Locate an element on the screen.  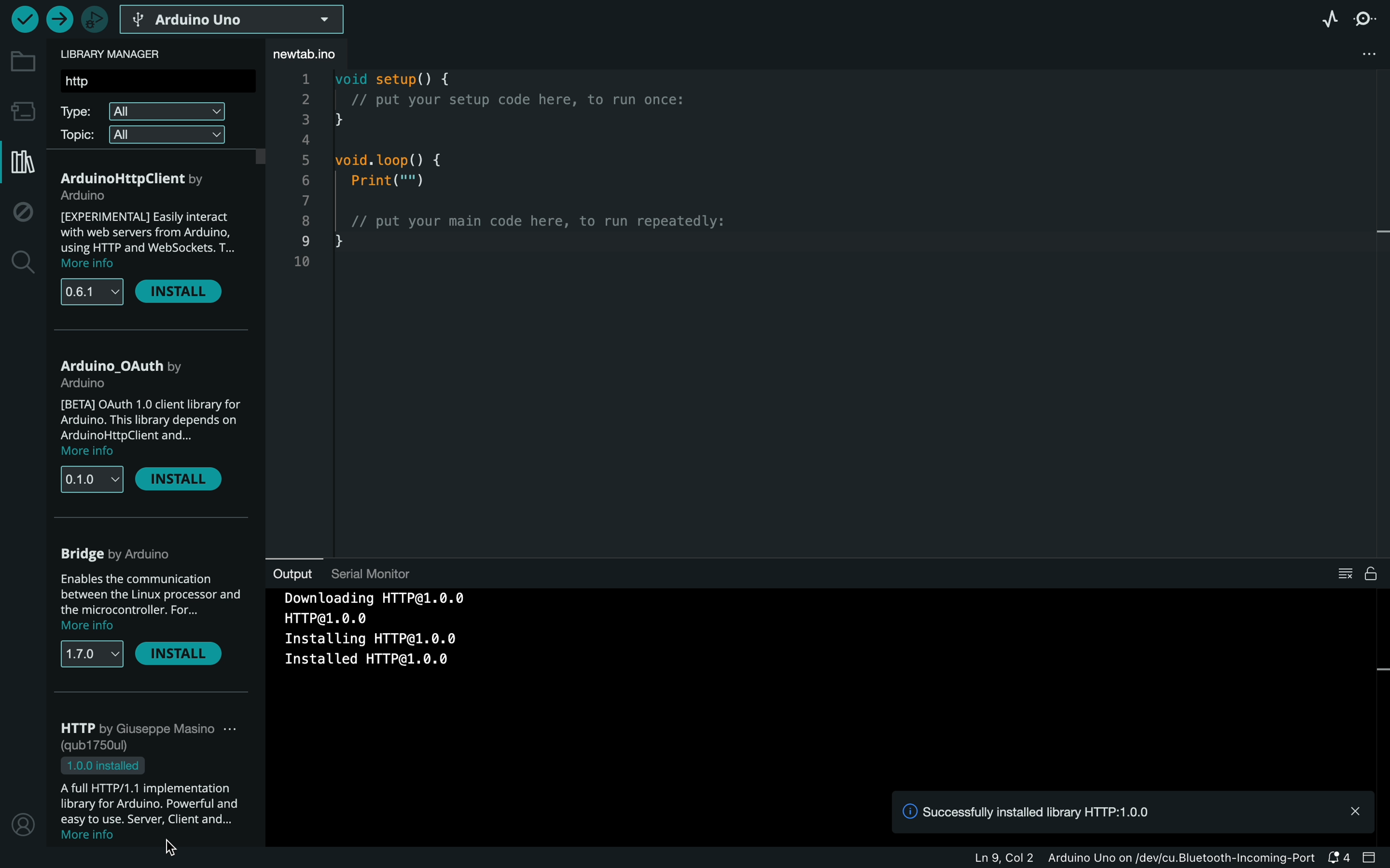
output is located at coordinates (293, 572).